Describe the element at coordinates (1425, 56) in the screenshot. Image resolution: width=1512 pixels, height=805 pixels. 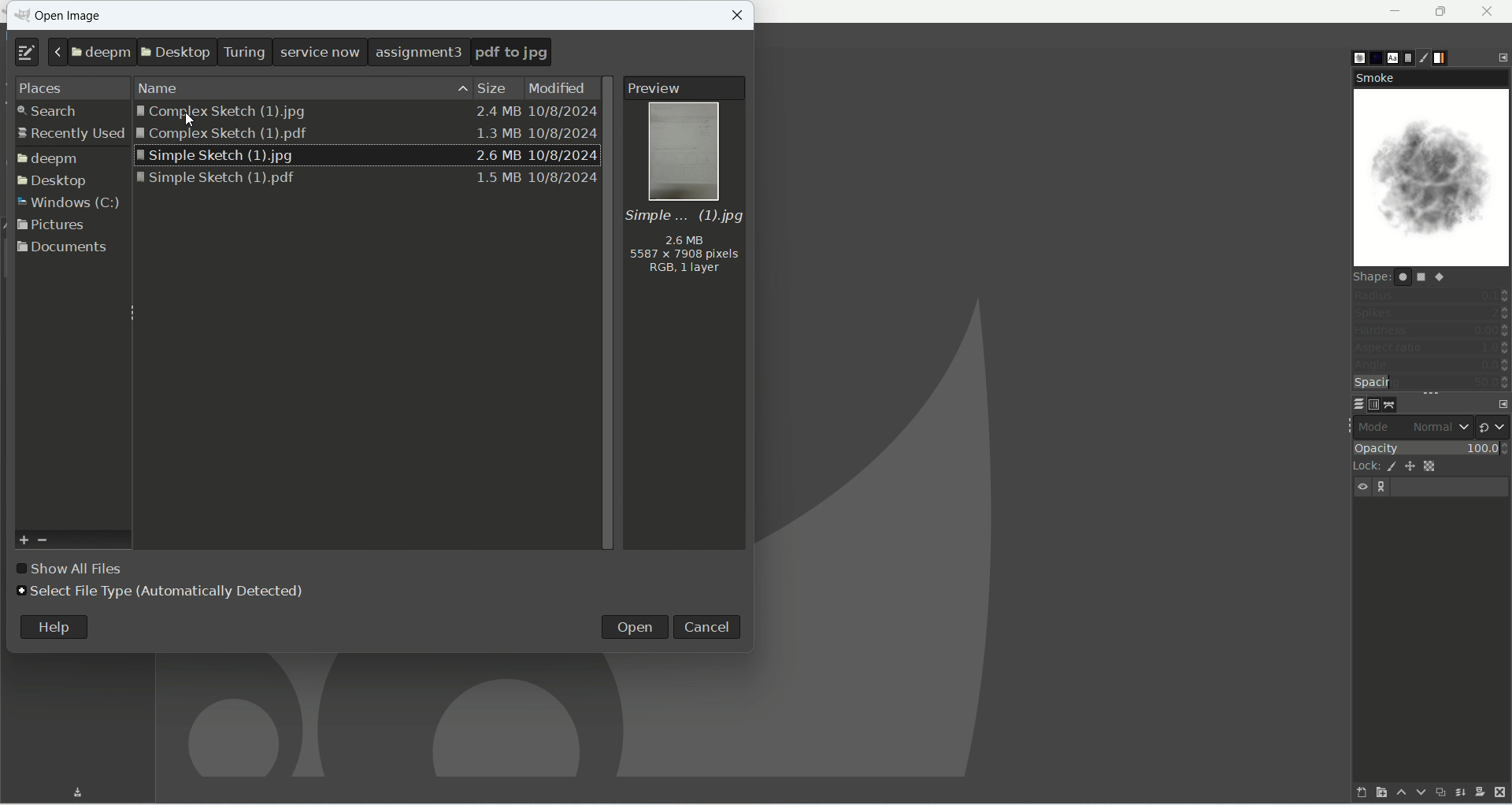
I see `brush editor` at that location.